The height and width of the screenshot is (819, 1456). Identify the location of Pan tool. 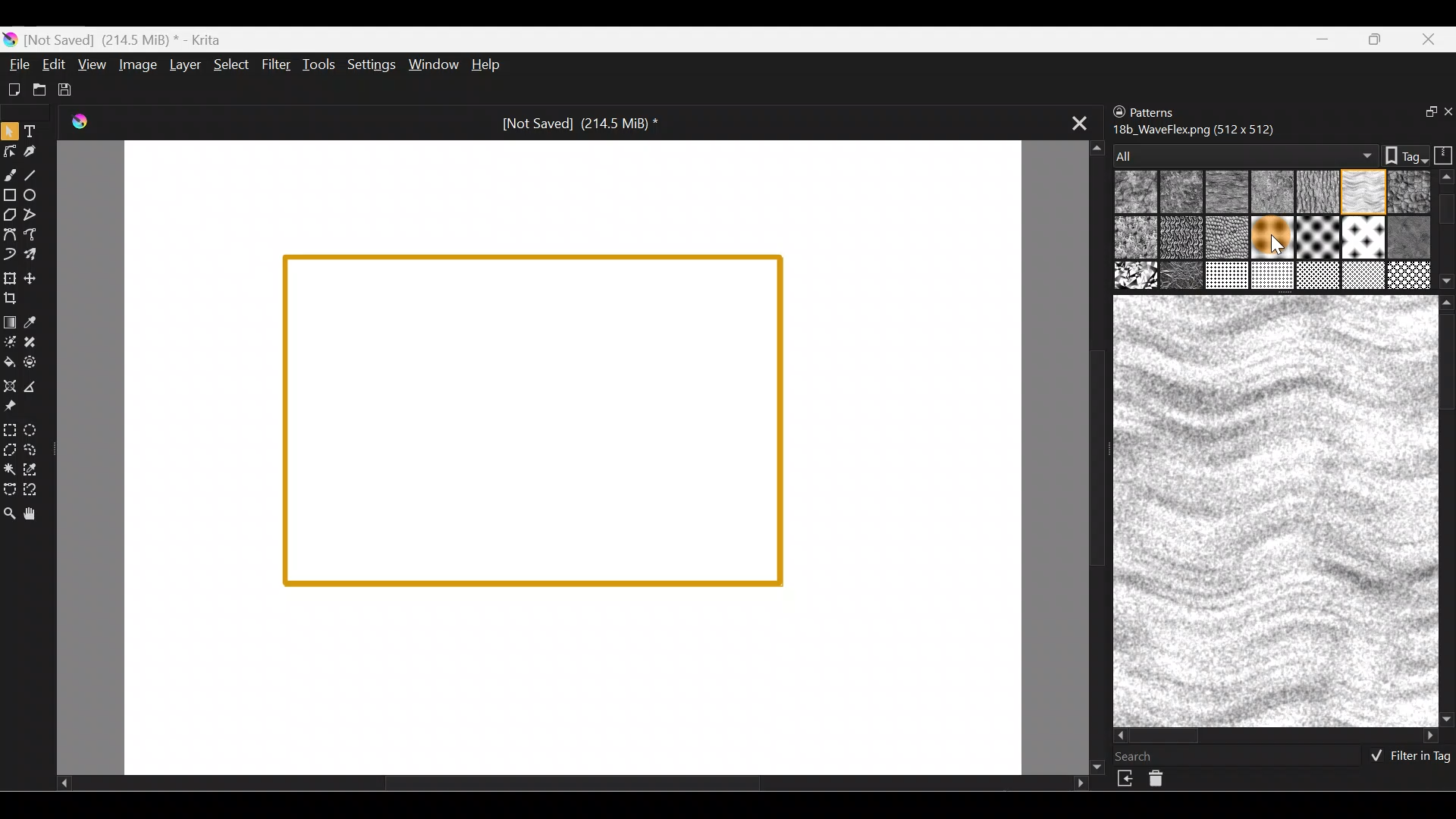
(37, 514).